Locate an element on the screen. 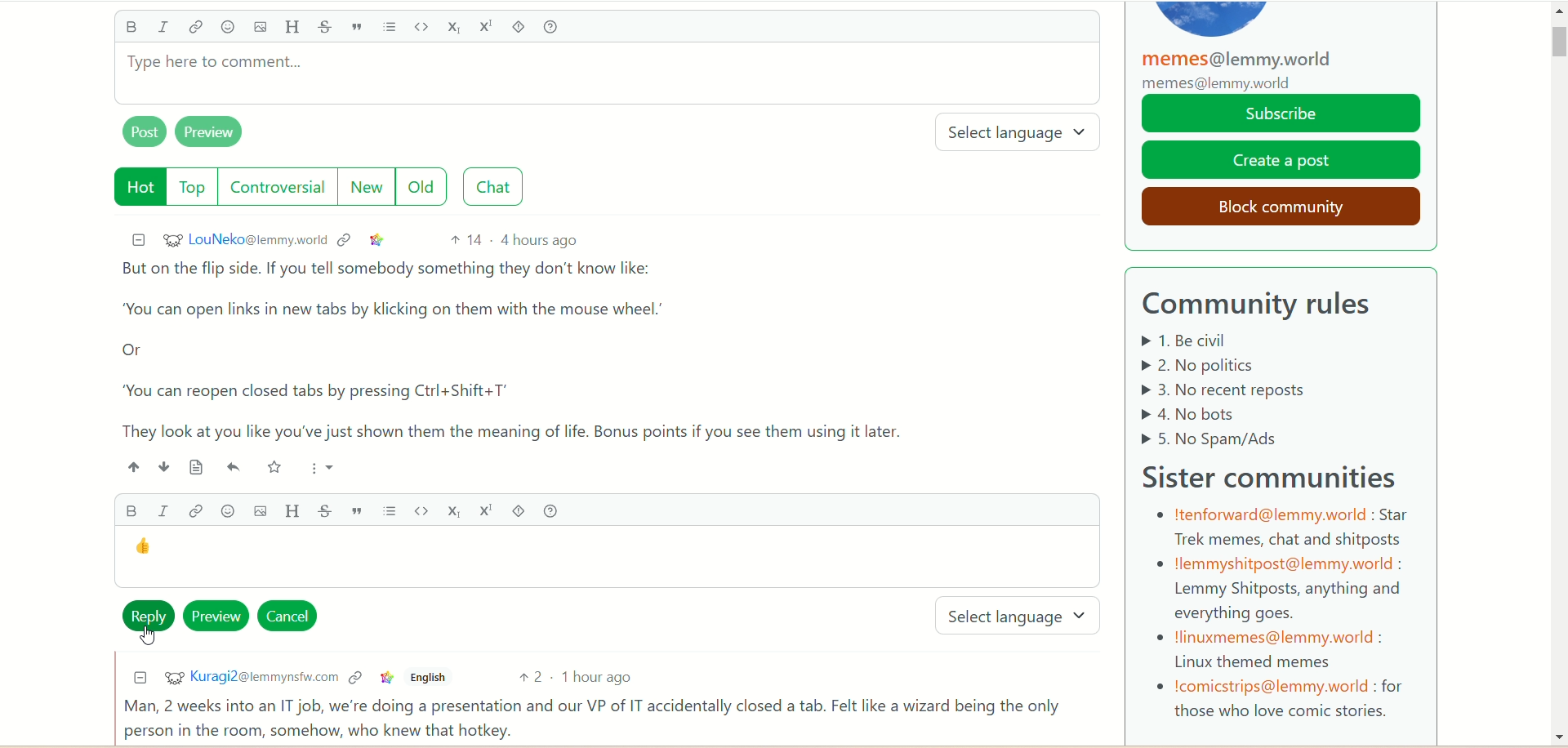 This screenshot has height=748, width=1568. hot is located at coordinates (133, 186).